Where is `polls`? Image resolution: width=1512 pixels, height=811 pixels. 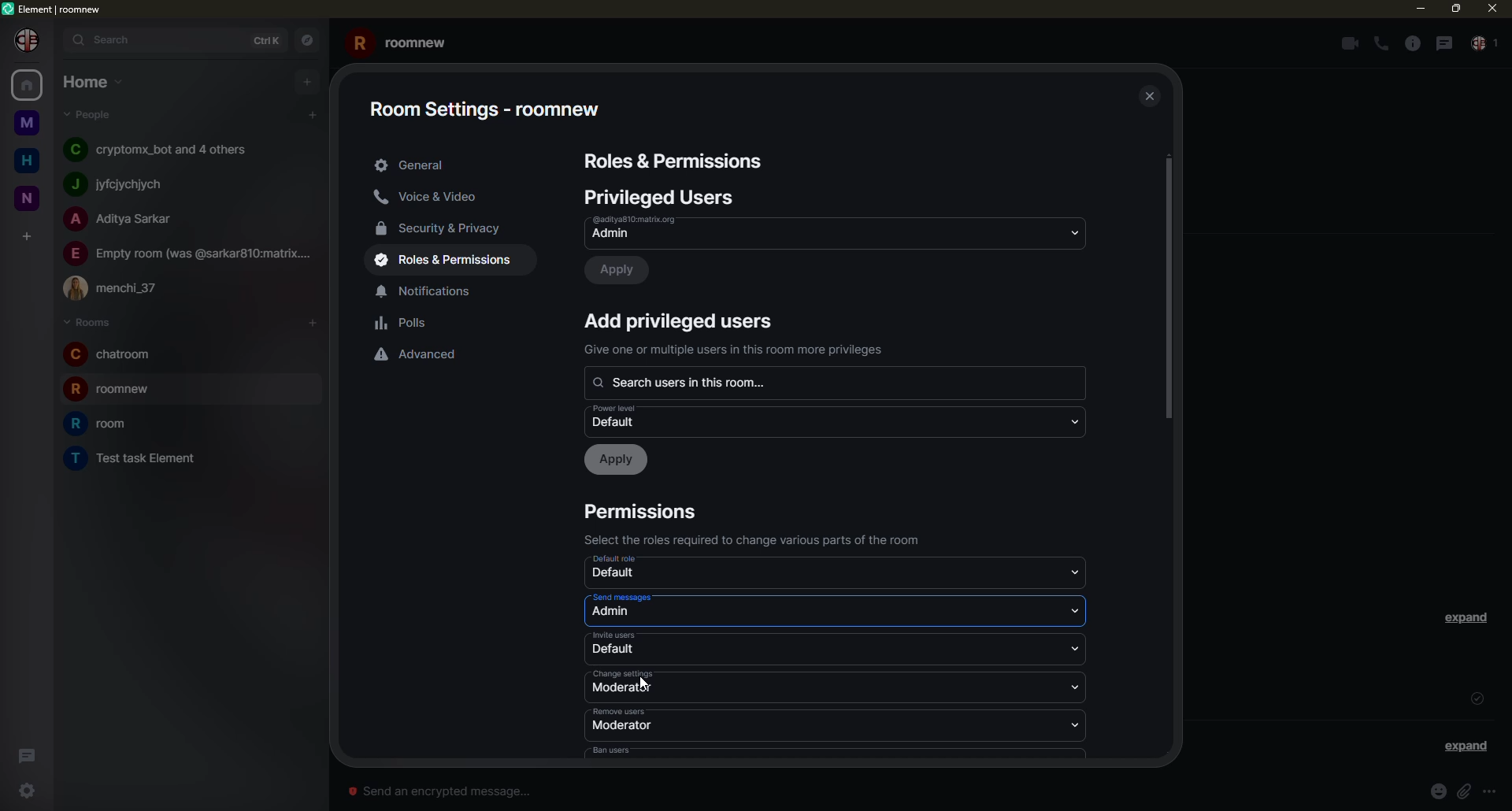 polls is located at coordinates (405, 324).